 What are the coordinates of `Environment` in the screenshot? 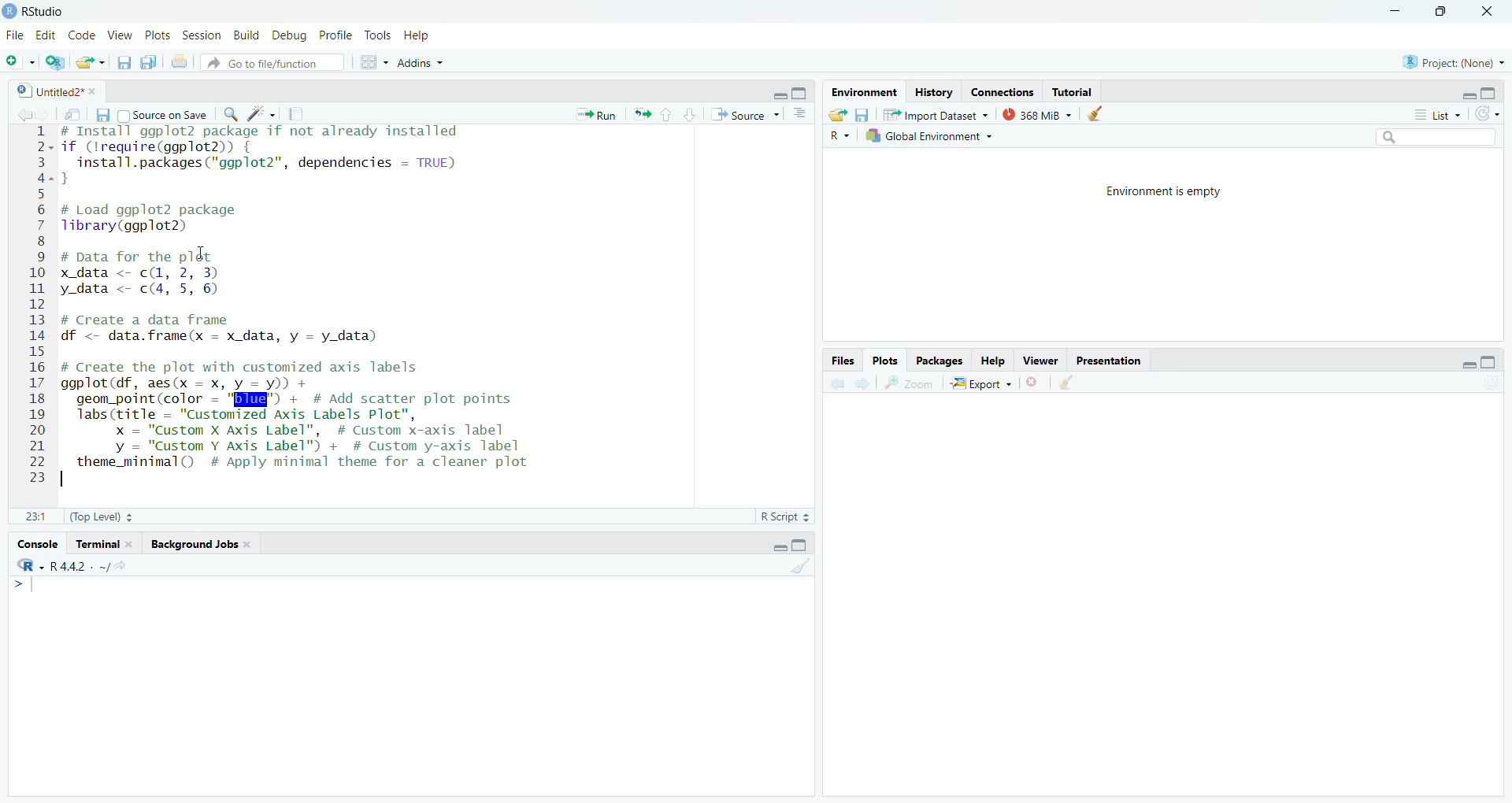 It's located at (858, 92).